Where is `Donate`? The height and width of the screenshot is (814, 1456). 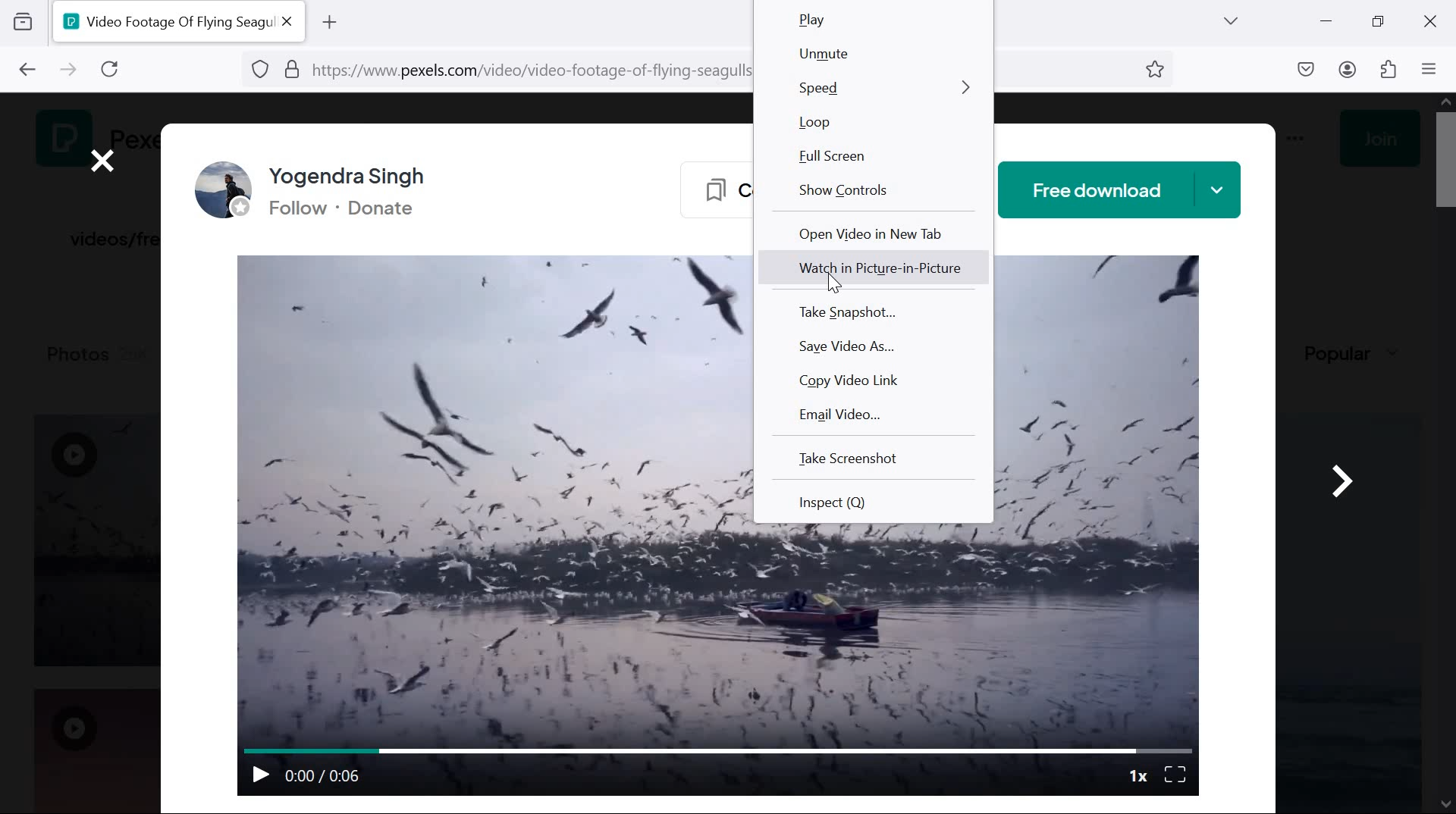
Donate is located at coordinates (391, 211).